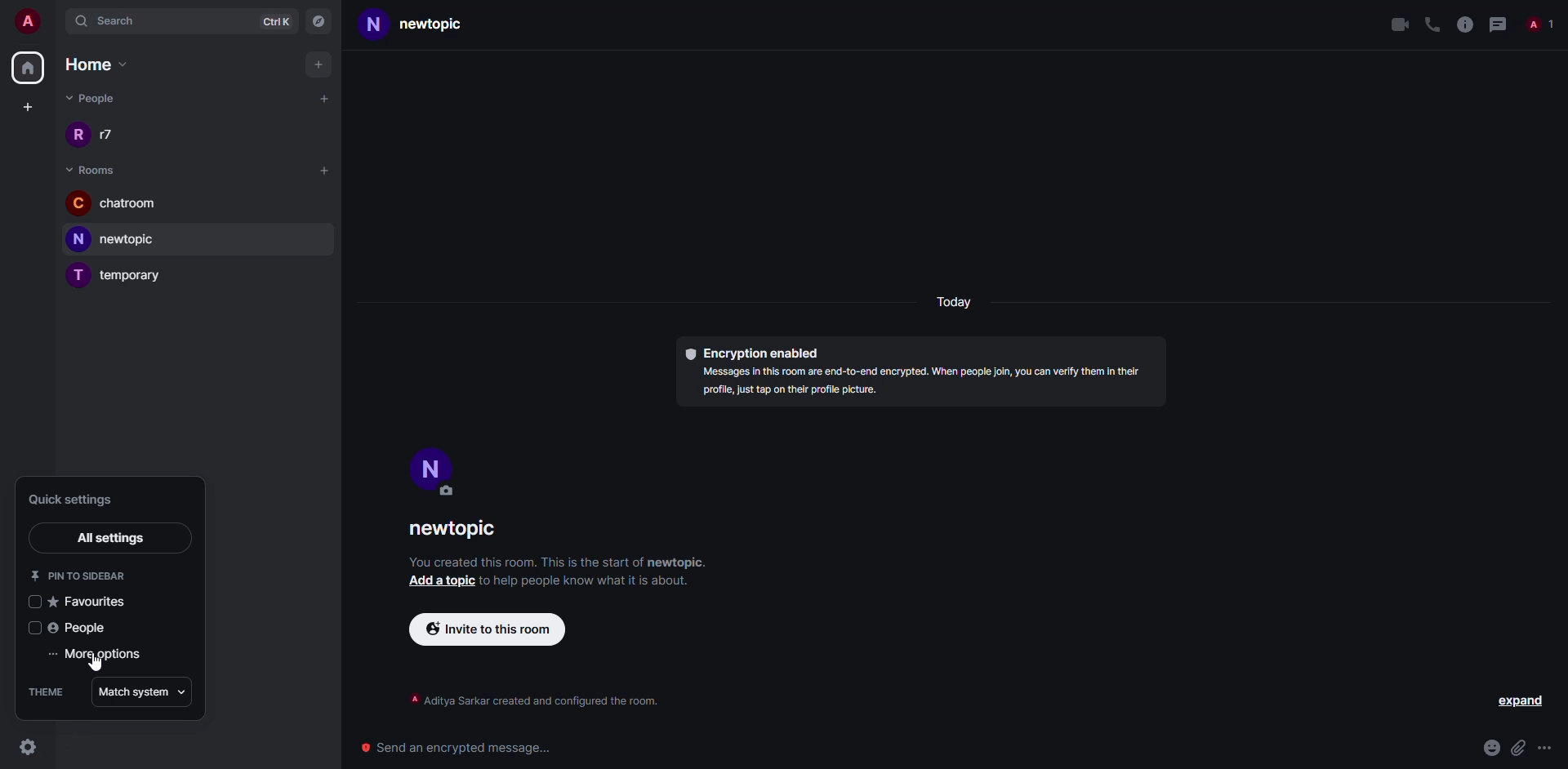 The height and width of the screenshot is (769, 1568). What do you see at coordinates (757, 352) in the screenshot?
I see `encryption enabled` at bounding box center [757, 352].